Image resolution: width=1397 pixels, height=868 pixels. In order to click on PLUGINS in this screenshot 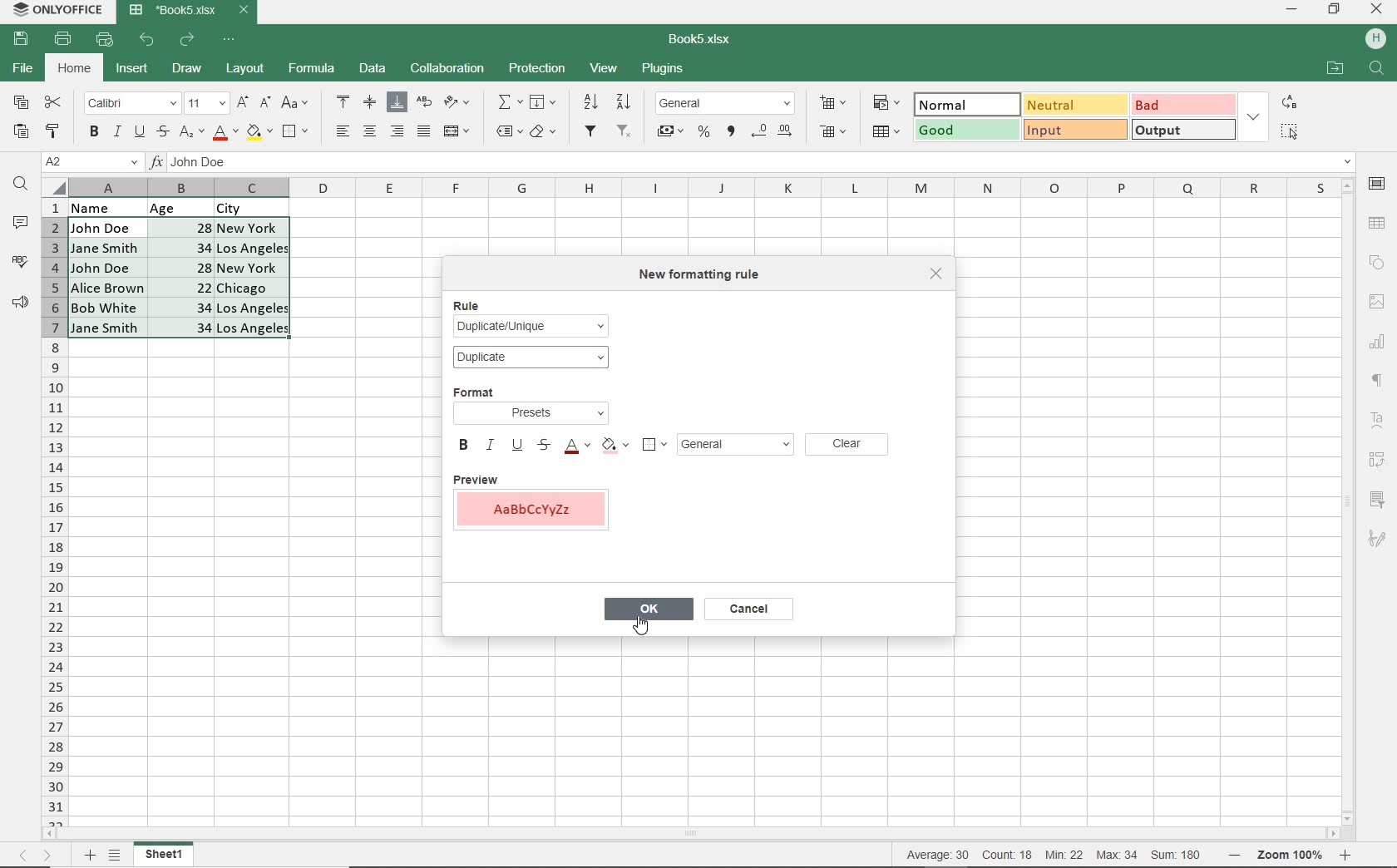, I will do `click(664, 70)`.